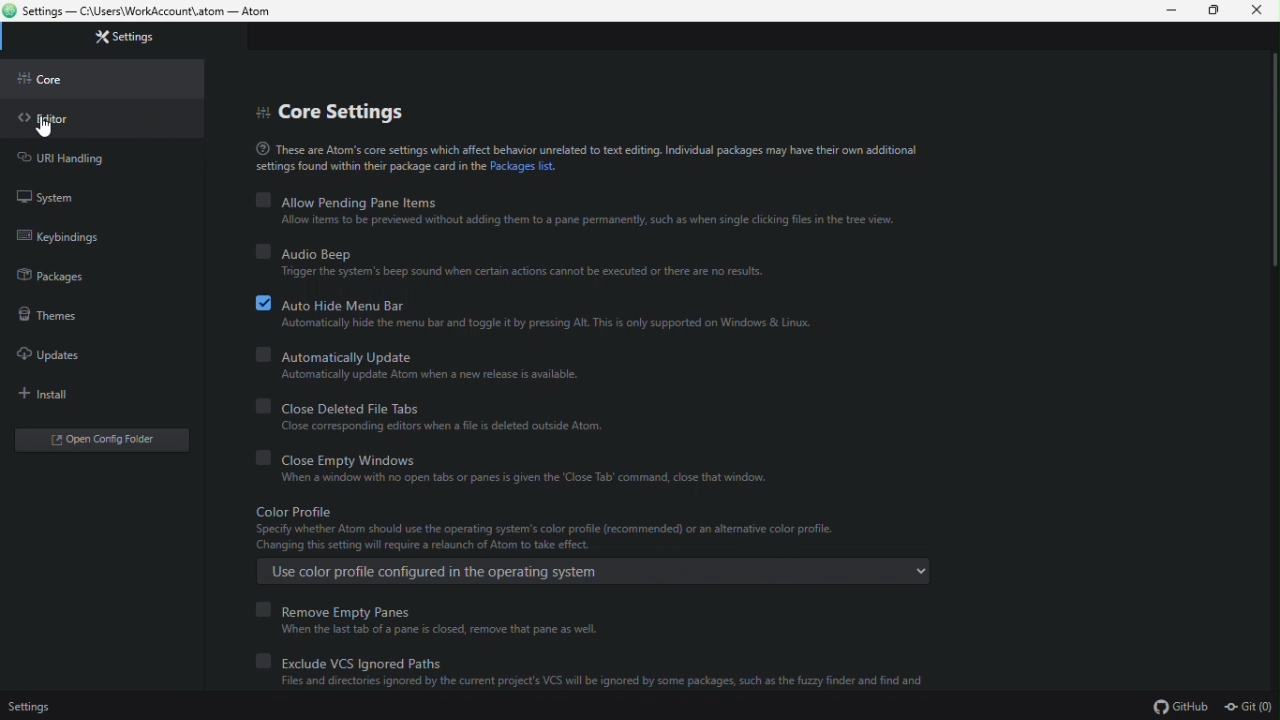  I want to click on close empty windows, so click(576, 457).